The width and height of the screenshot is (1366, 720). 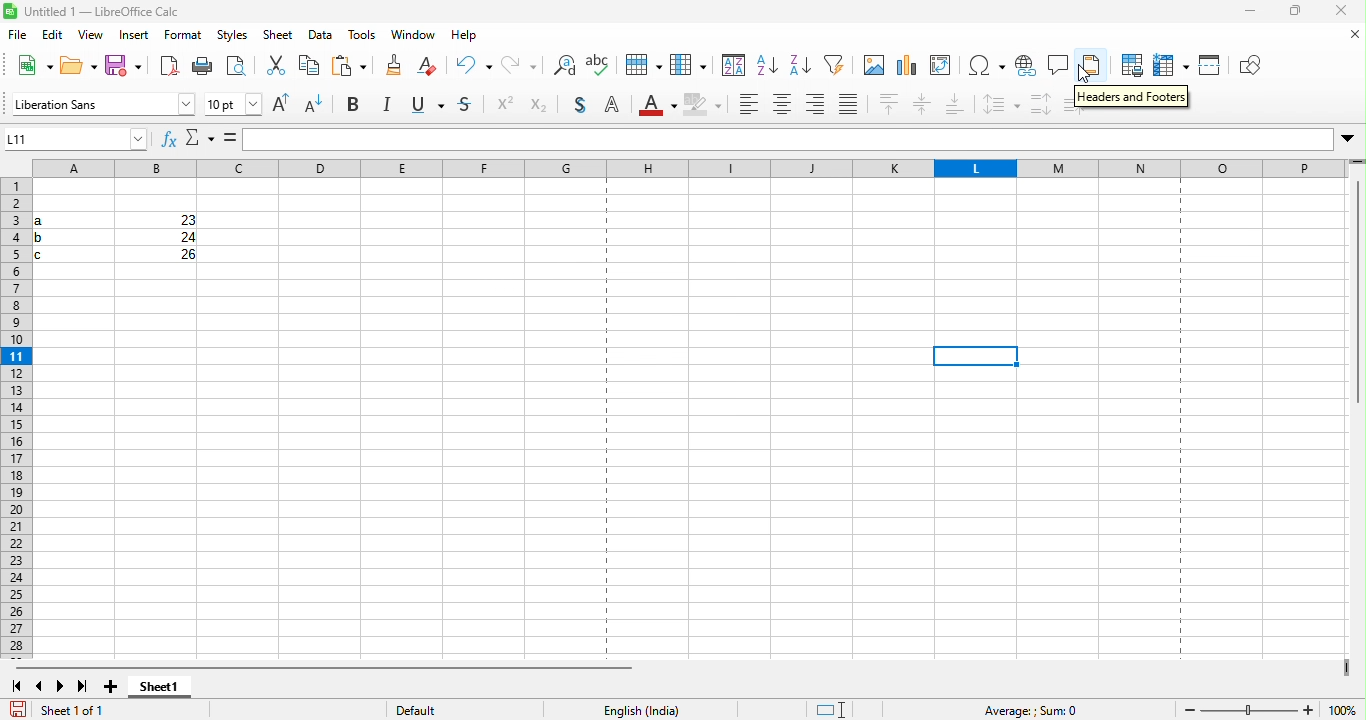 I want to click on last sheet, so click(x=84, y=683).